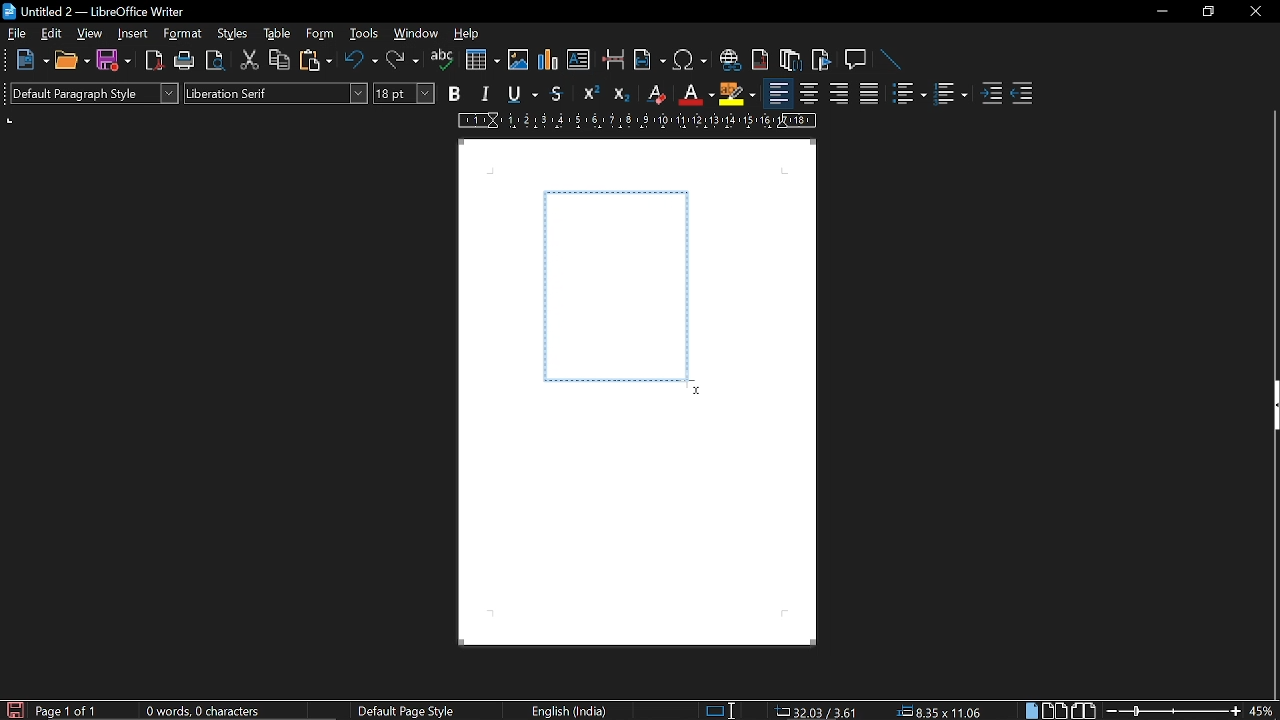  I want to click on insert chart, so click(549, 60).